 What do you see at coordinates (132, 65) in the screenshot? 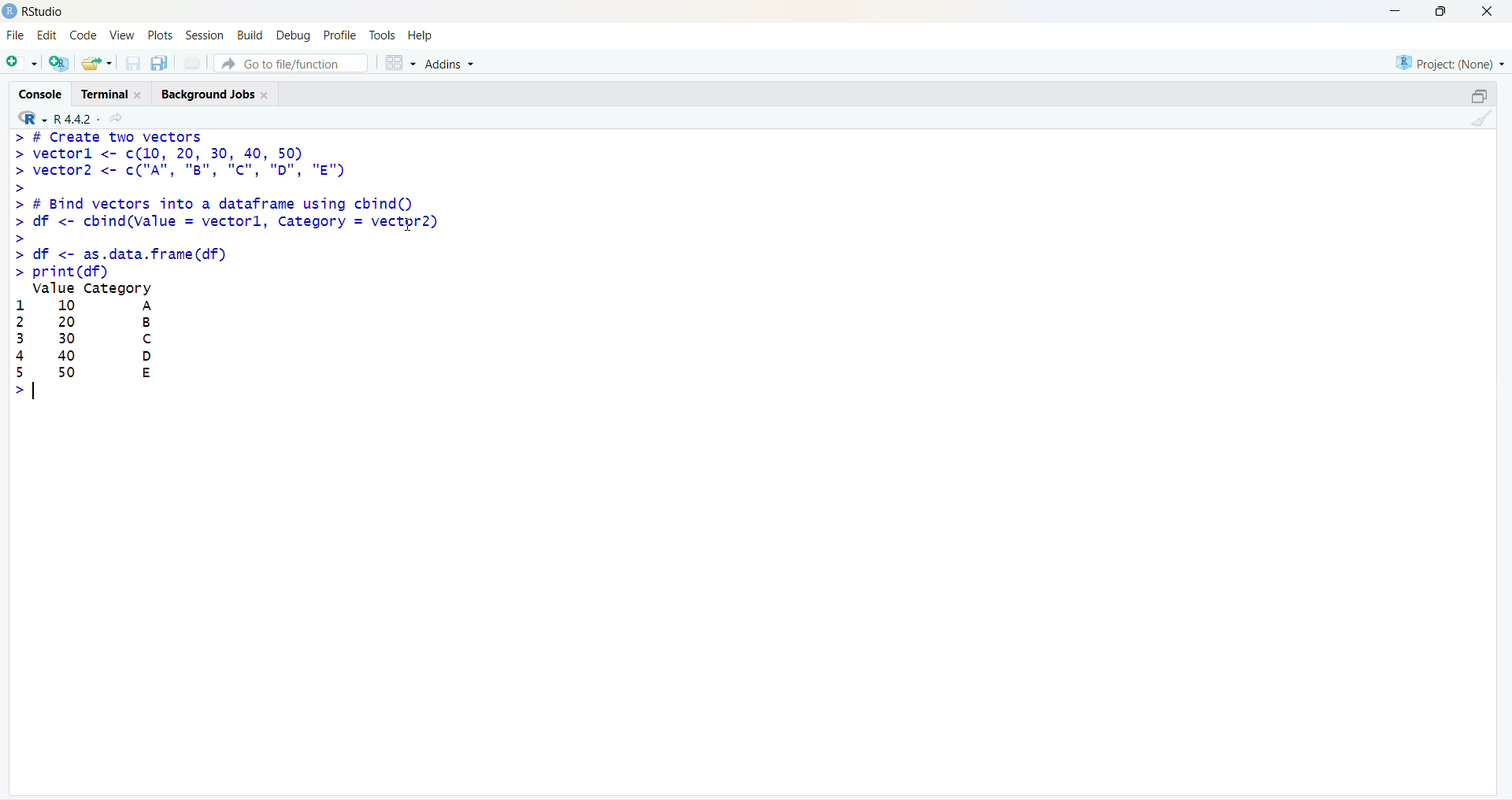
I see `save open document` at bounding box center [132, 65].